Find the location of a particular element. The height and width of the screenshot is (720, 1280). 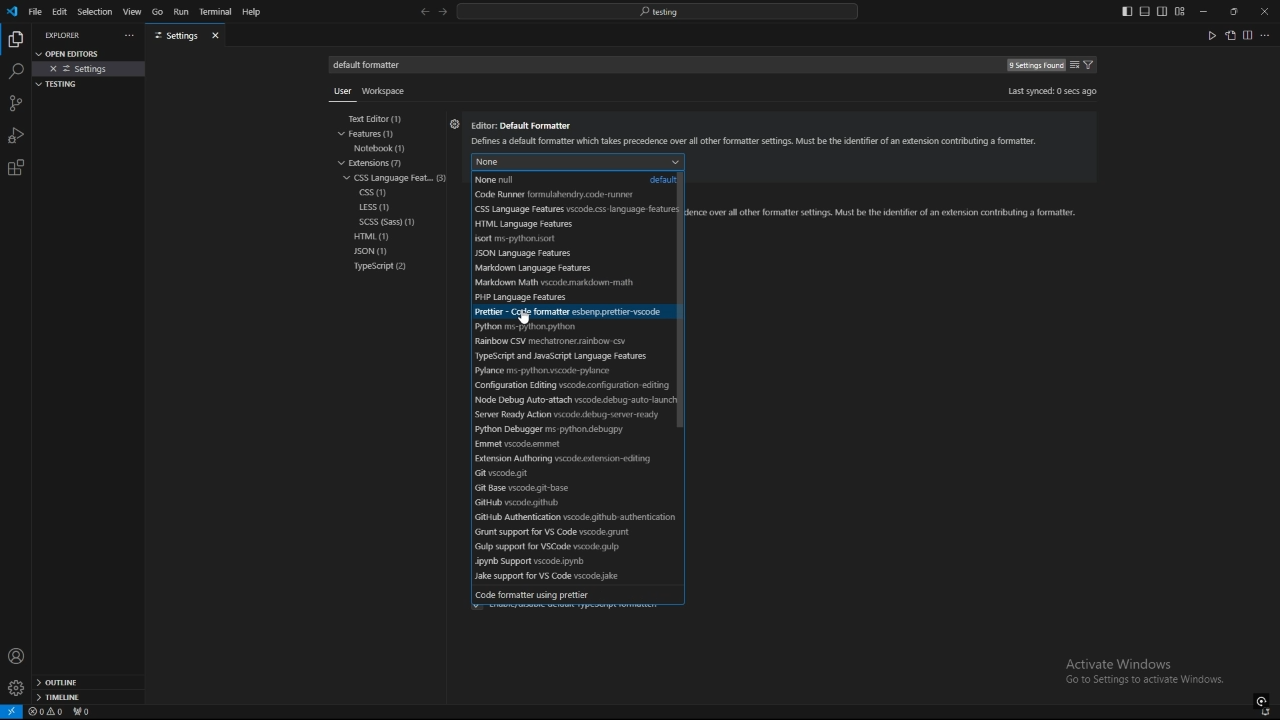

configuration editing is located at coordinates (569, 385).